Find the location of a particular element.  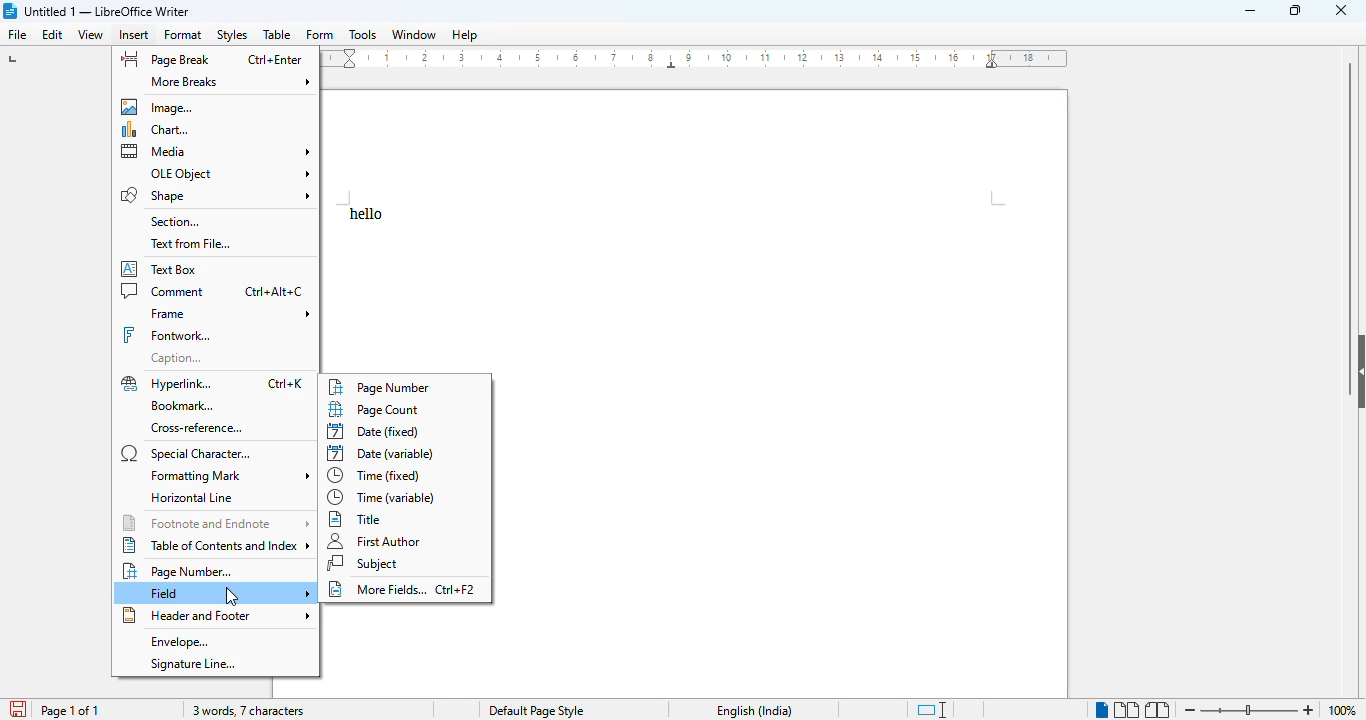

zoom in is located at coordinates (1310, 710).